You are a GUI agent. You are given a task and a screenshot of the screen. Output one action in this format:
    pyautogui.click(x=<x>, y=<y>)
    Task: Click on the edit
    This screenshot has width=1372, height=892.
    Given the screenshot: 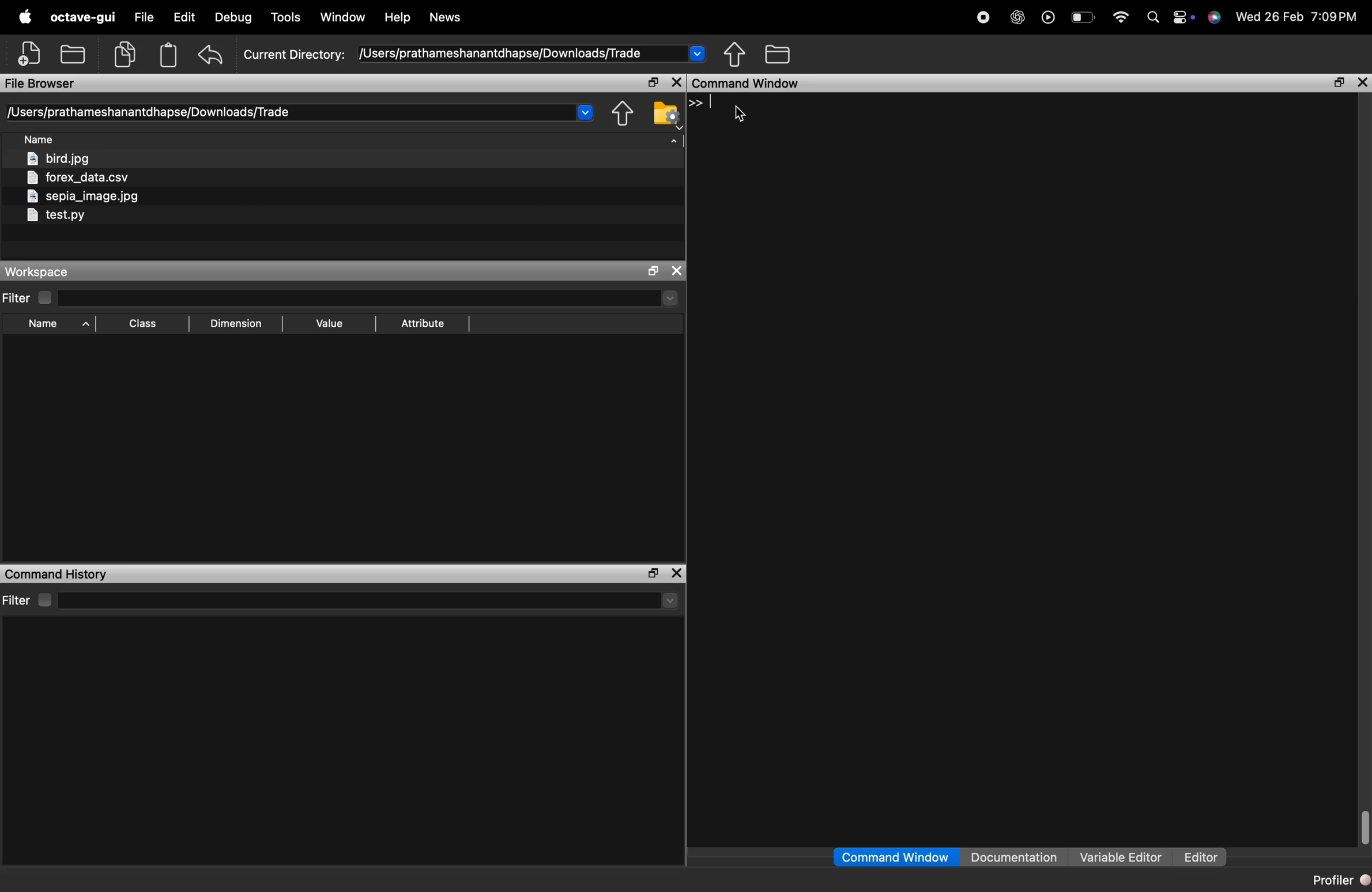 What is the action you would take?
    pyautogui.click(x=187, y=17)
    